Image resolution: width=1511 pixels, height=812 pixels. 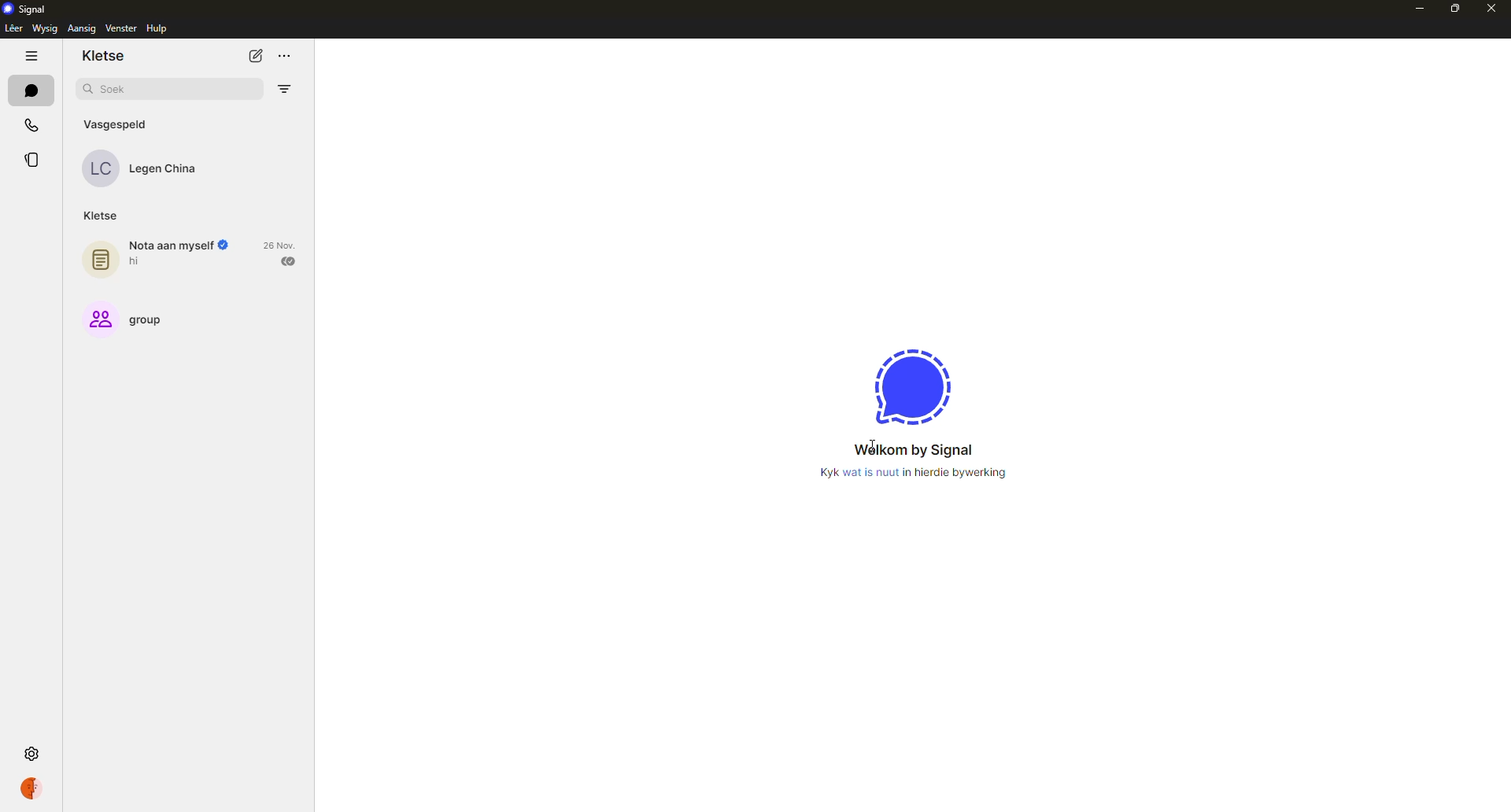 What do you see at coordinates (1492, 6) in the screenshot?
I see `close` at bounding box center [1492, 6].